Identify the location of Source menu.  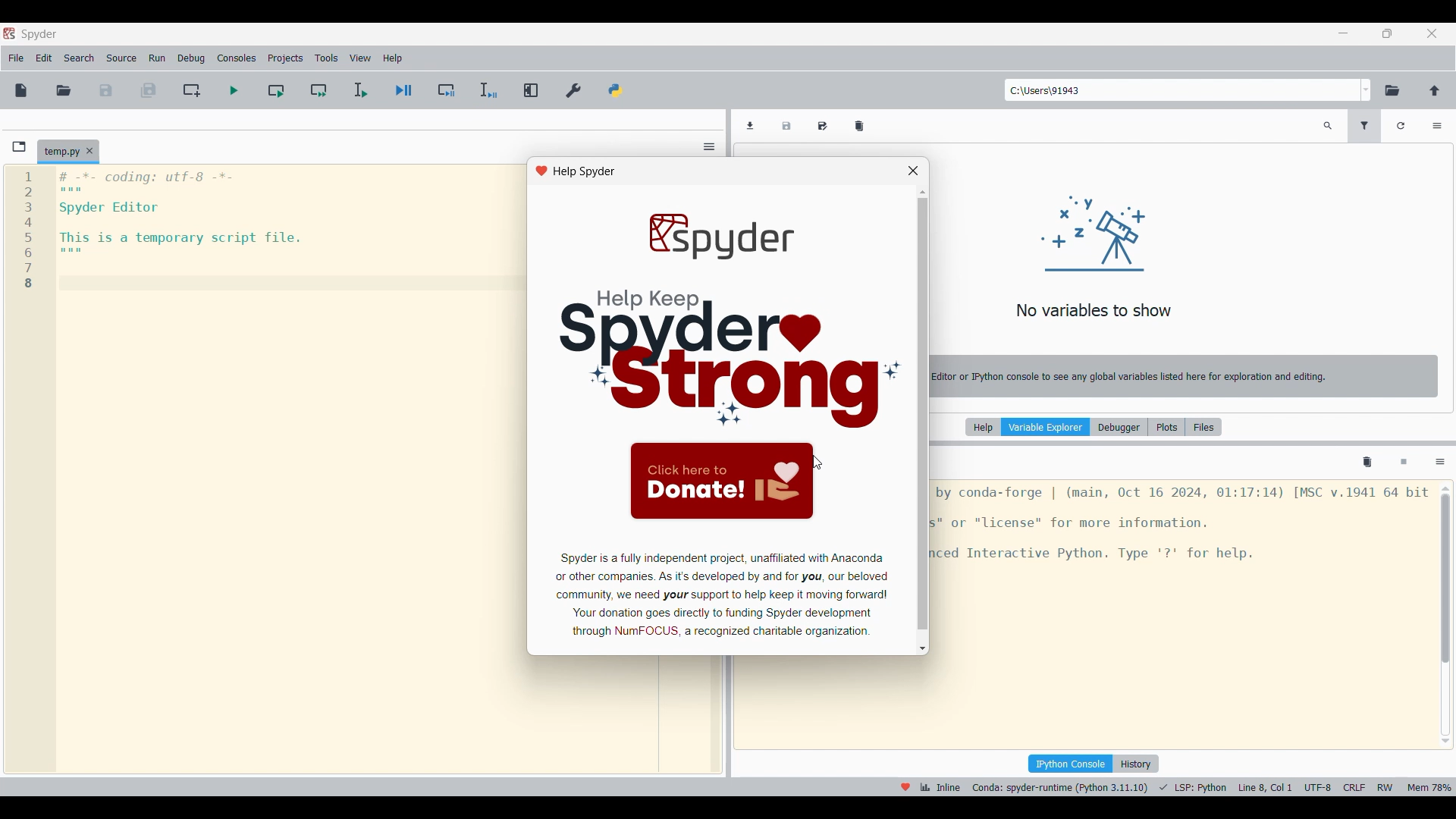
(122, 58).